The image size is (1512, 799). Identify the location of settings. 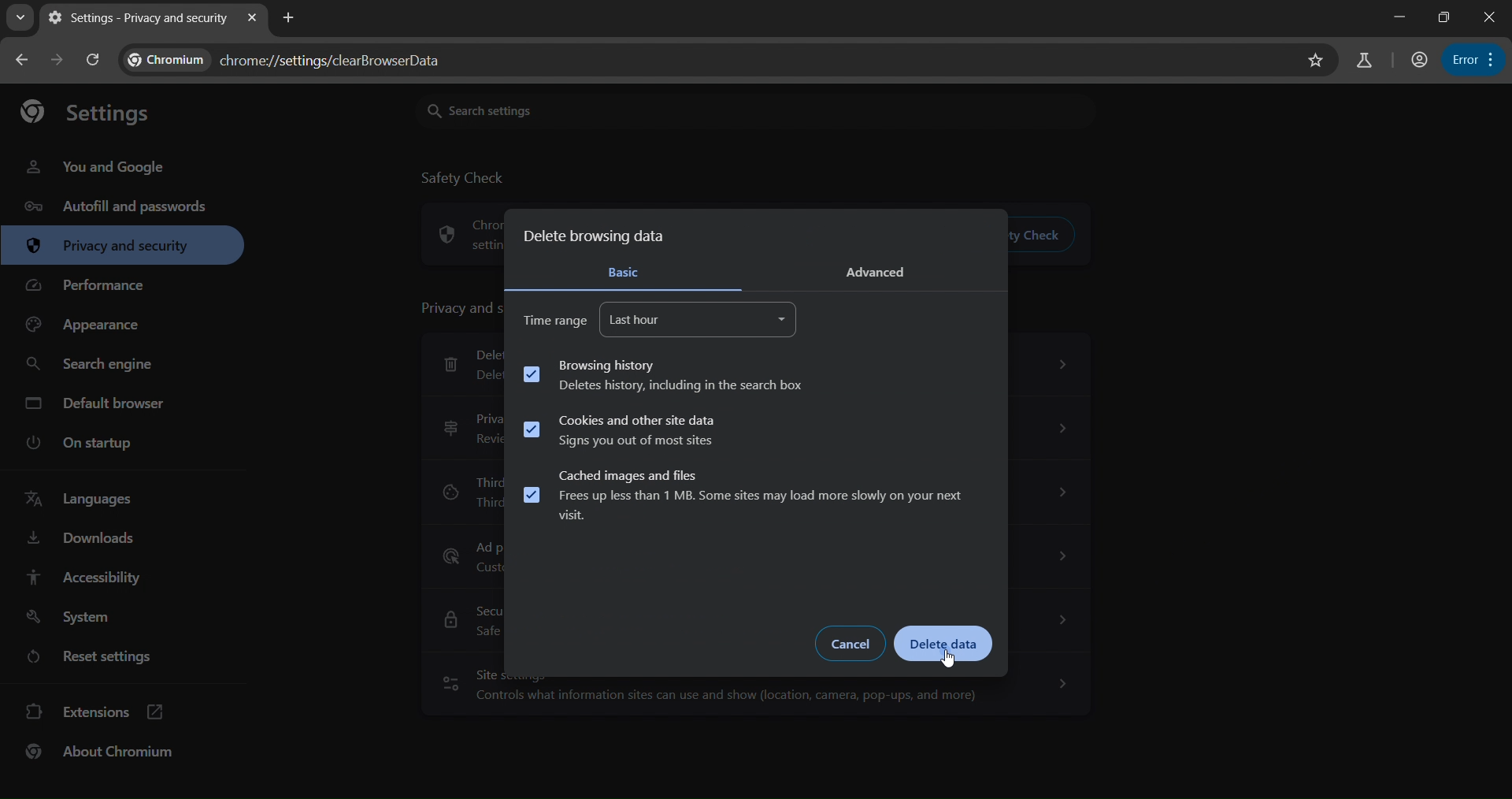
(96, 115).